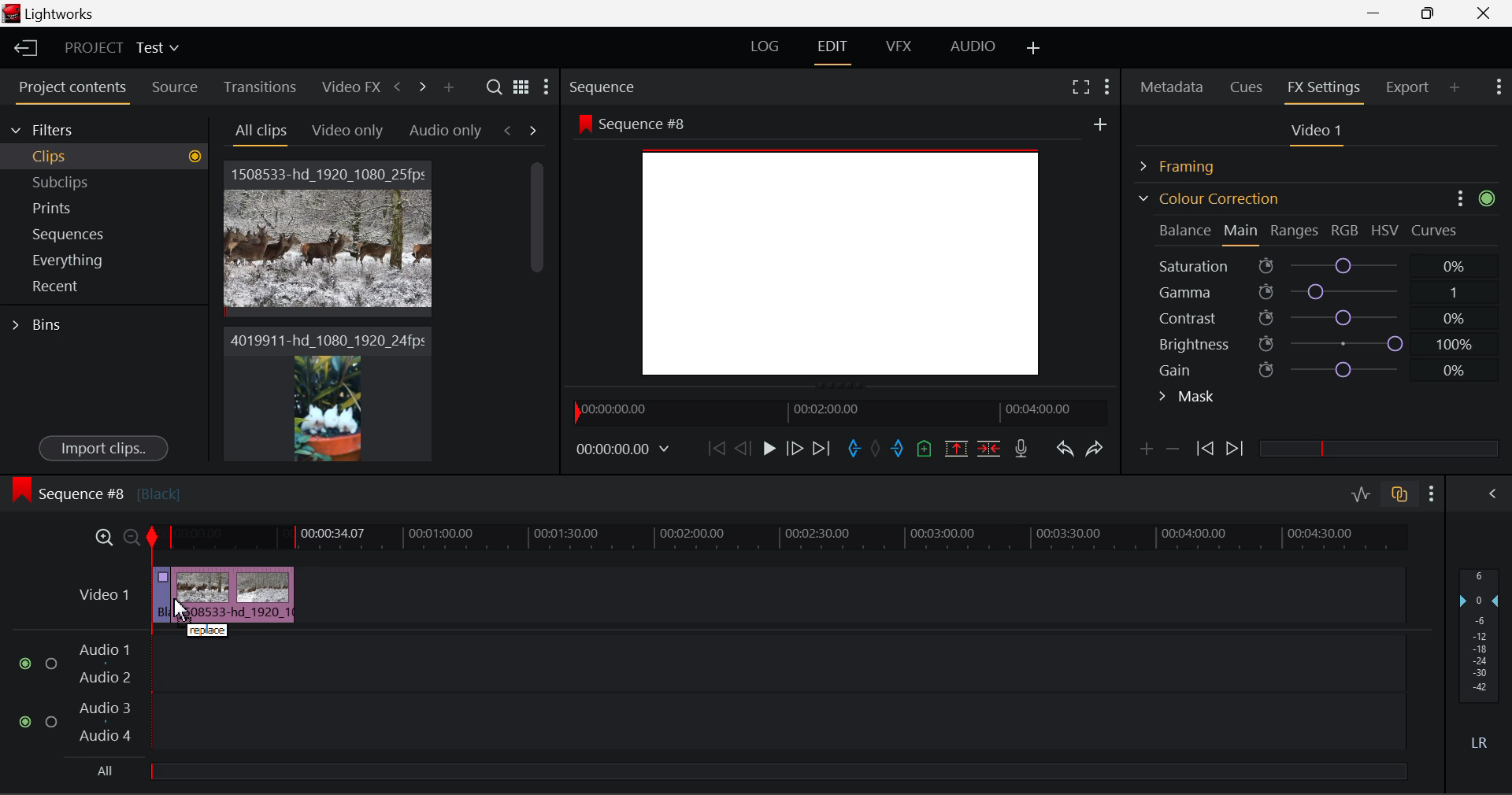 Image resolution: width=1512 pixels, height=795 pixels. Describe the element at coordinates (346, 87) in the screenshot. I see `Video FX` at that location.